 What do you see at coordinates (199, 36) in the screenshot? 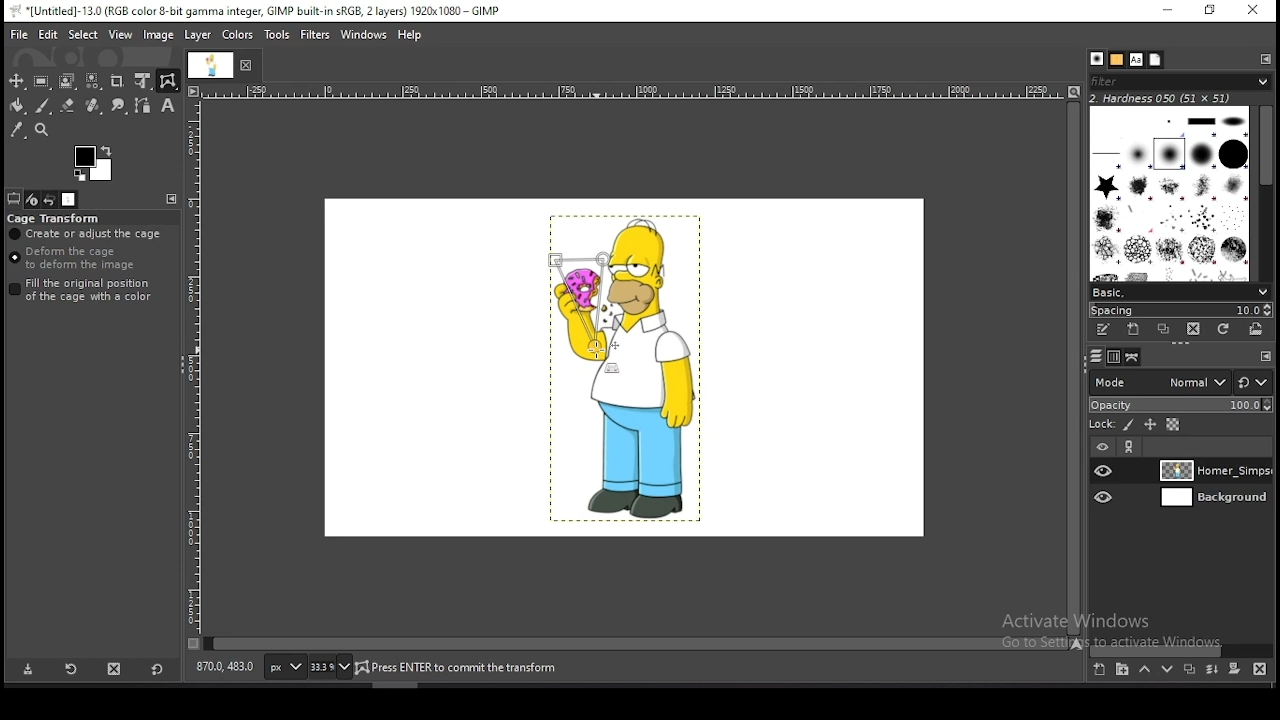
I see `layer` at bounding box center [199, 36].